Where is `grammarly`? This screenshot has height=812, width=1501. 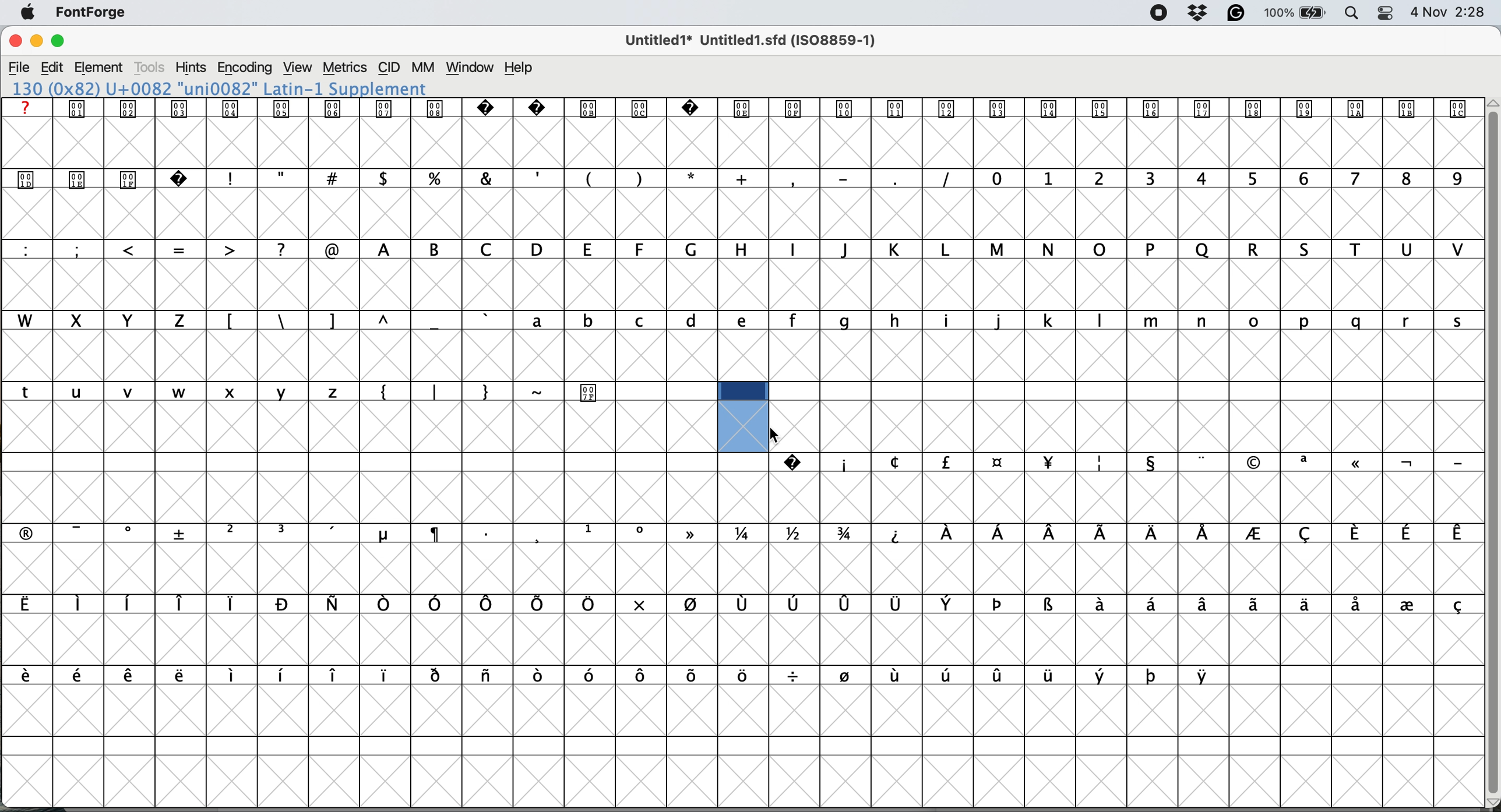
grammarly is located at coordinates (1238, 14).